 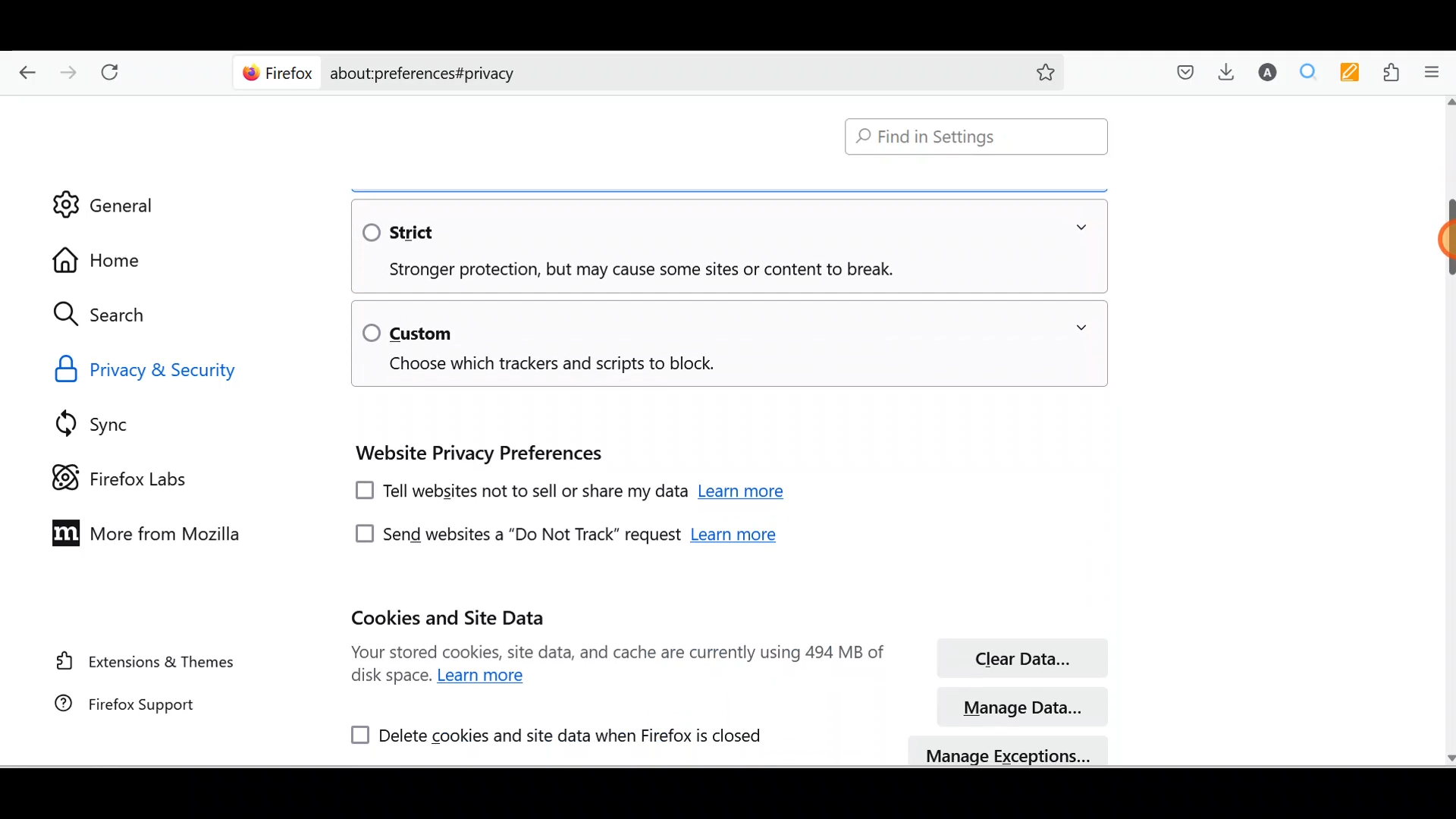 What do you see at coordinates (475, 453) in the screenshot?
I see `Website privacy preferences` at bounding box center [475, 453].